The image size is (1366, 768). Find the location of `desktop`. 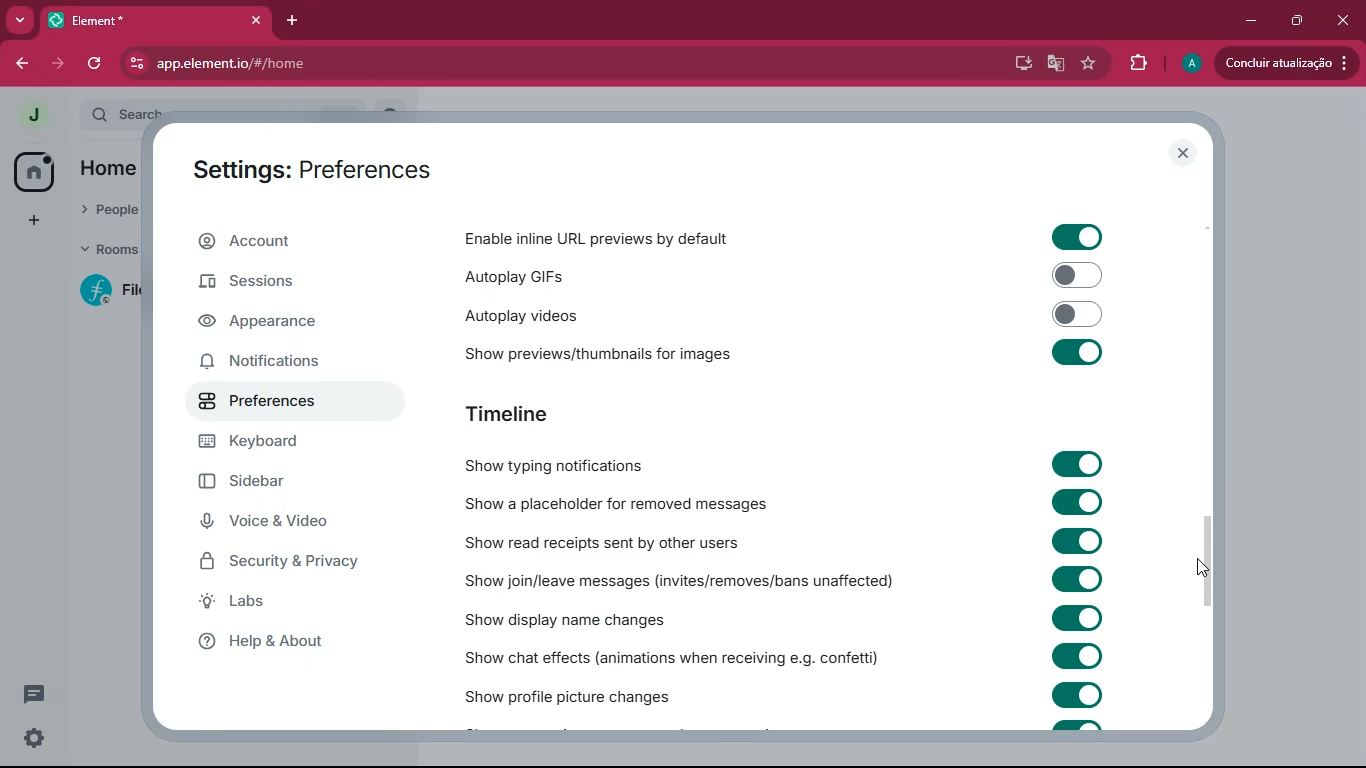

desktop is located at coordinates (1018, 64).